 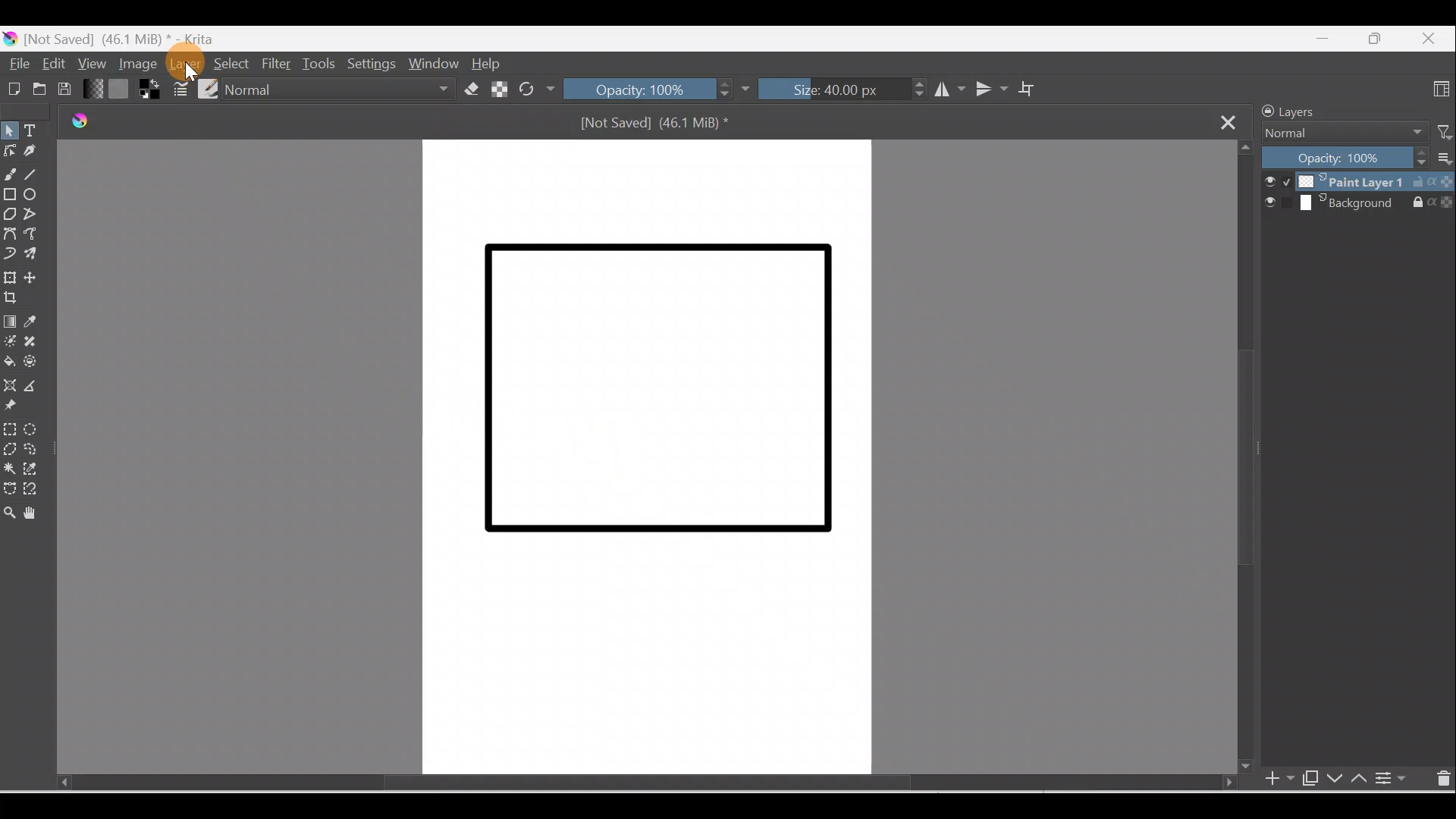 What do you see at coordinates (1394, 779) in the screenshot?
I see `View/Change layer properties` at bounding box center [1394, 779].